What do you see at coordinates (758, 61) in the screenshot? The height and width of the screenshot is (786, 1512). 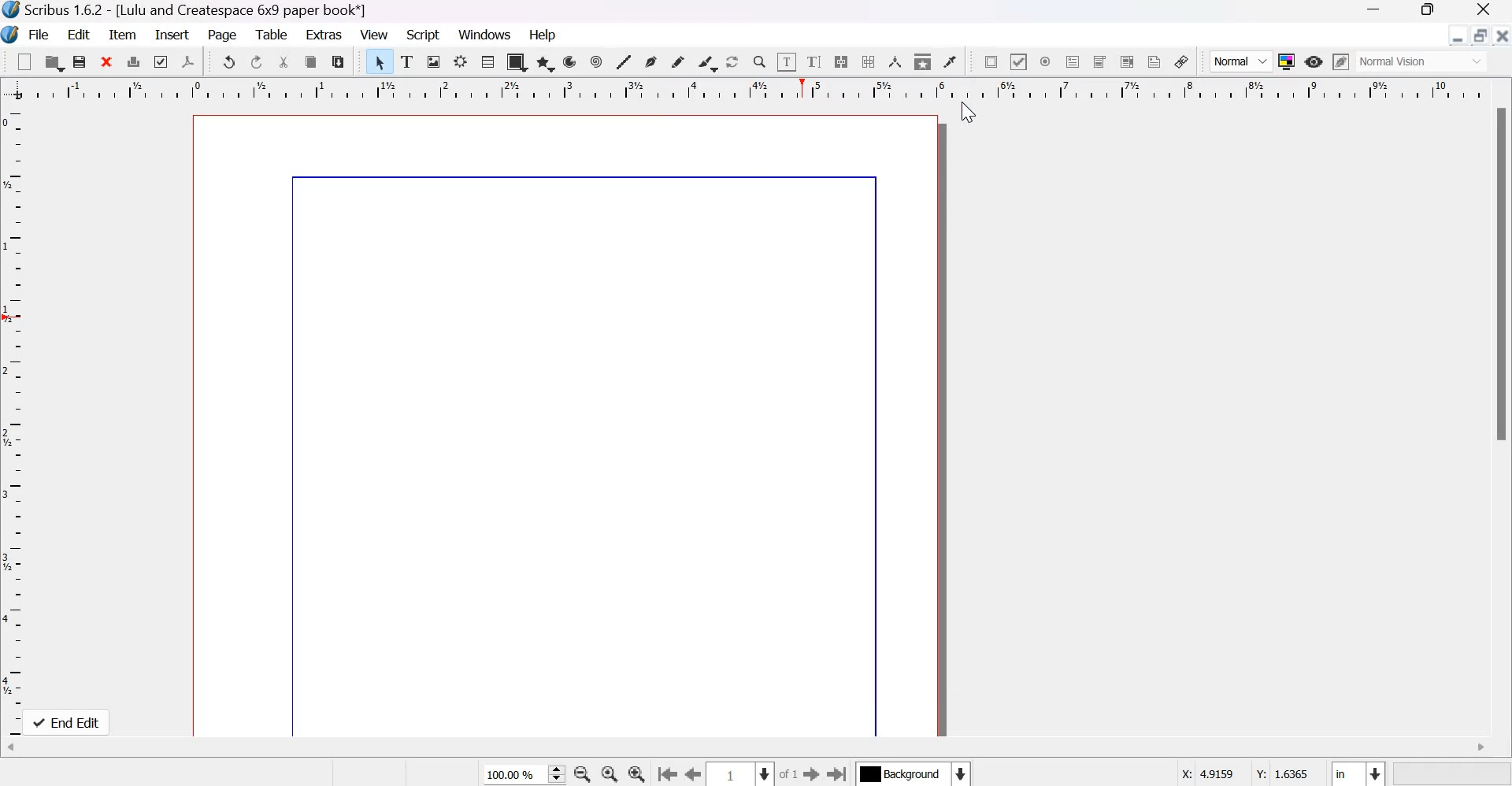 I see `Zoom in or out` at bounding box center [758, 61].